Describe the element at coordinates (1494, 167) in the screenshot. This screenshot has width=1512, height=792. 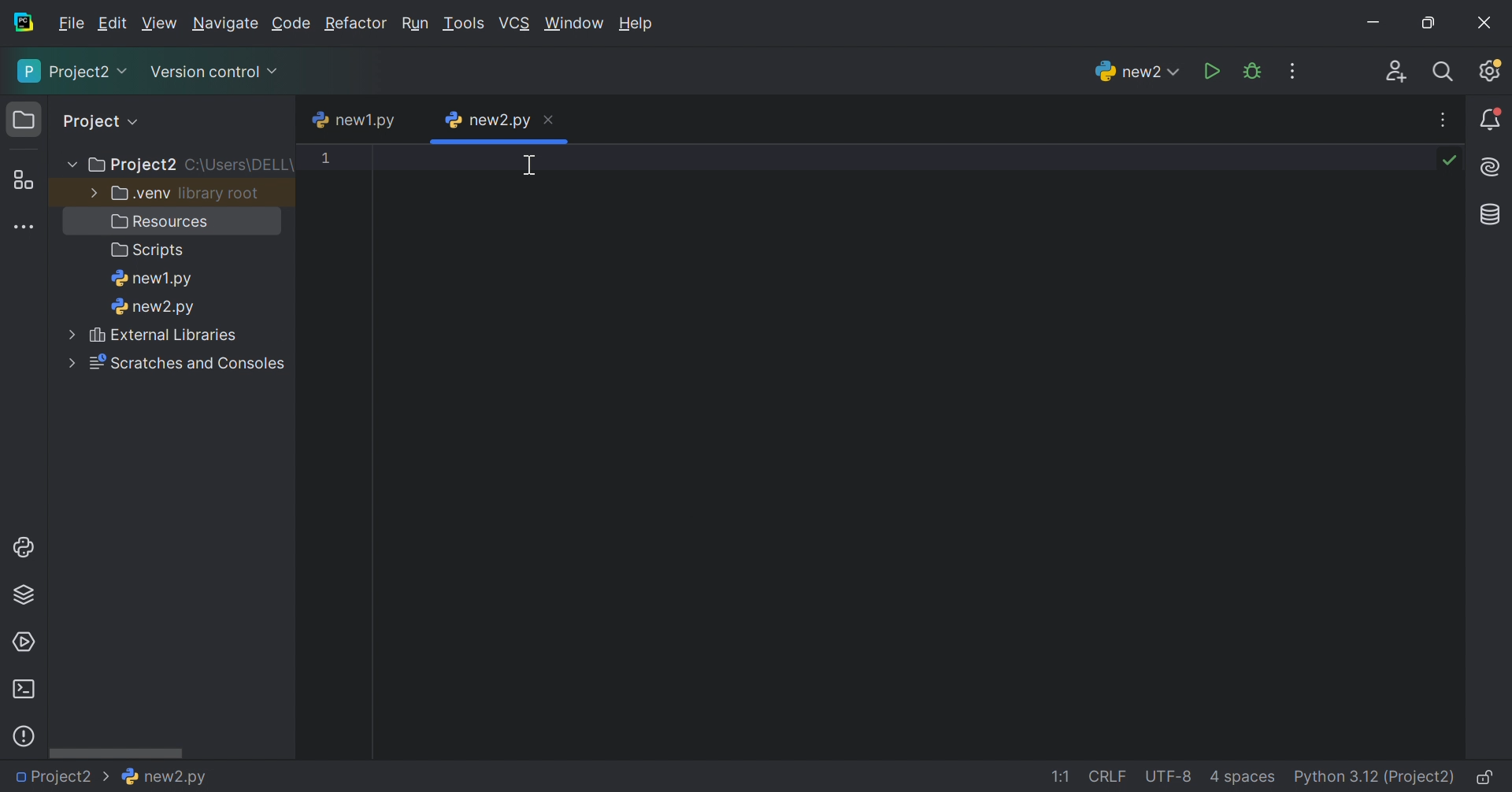
I see `AI Assistant` at that location.